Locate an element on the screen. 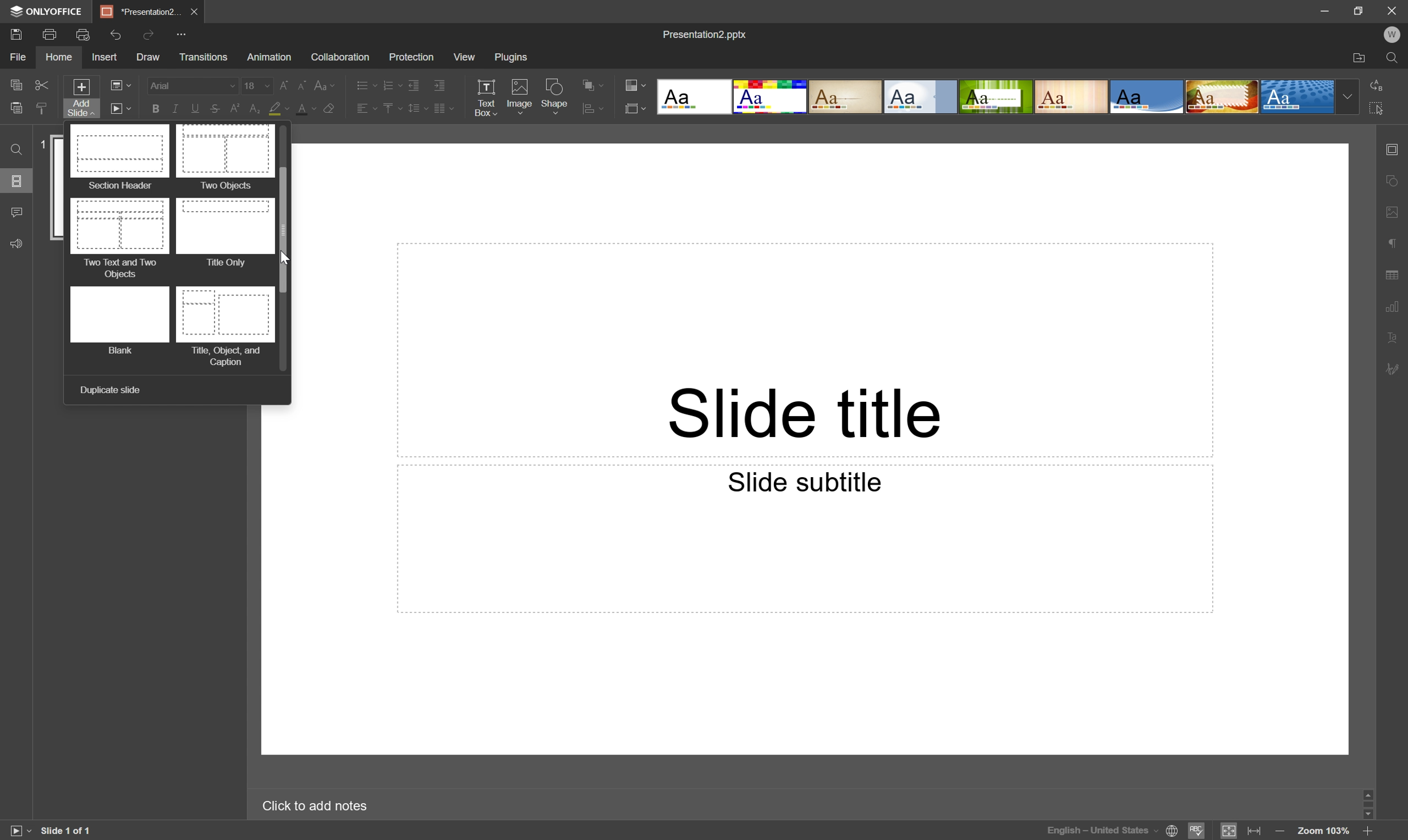 The height and width of the screenshot is (840, 1408). Vertical align is located at coordinates (389, 109).